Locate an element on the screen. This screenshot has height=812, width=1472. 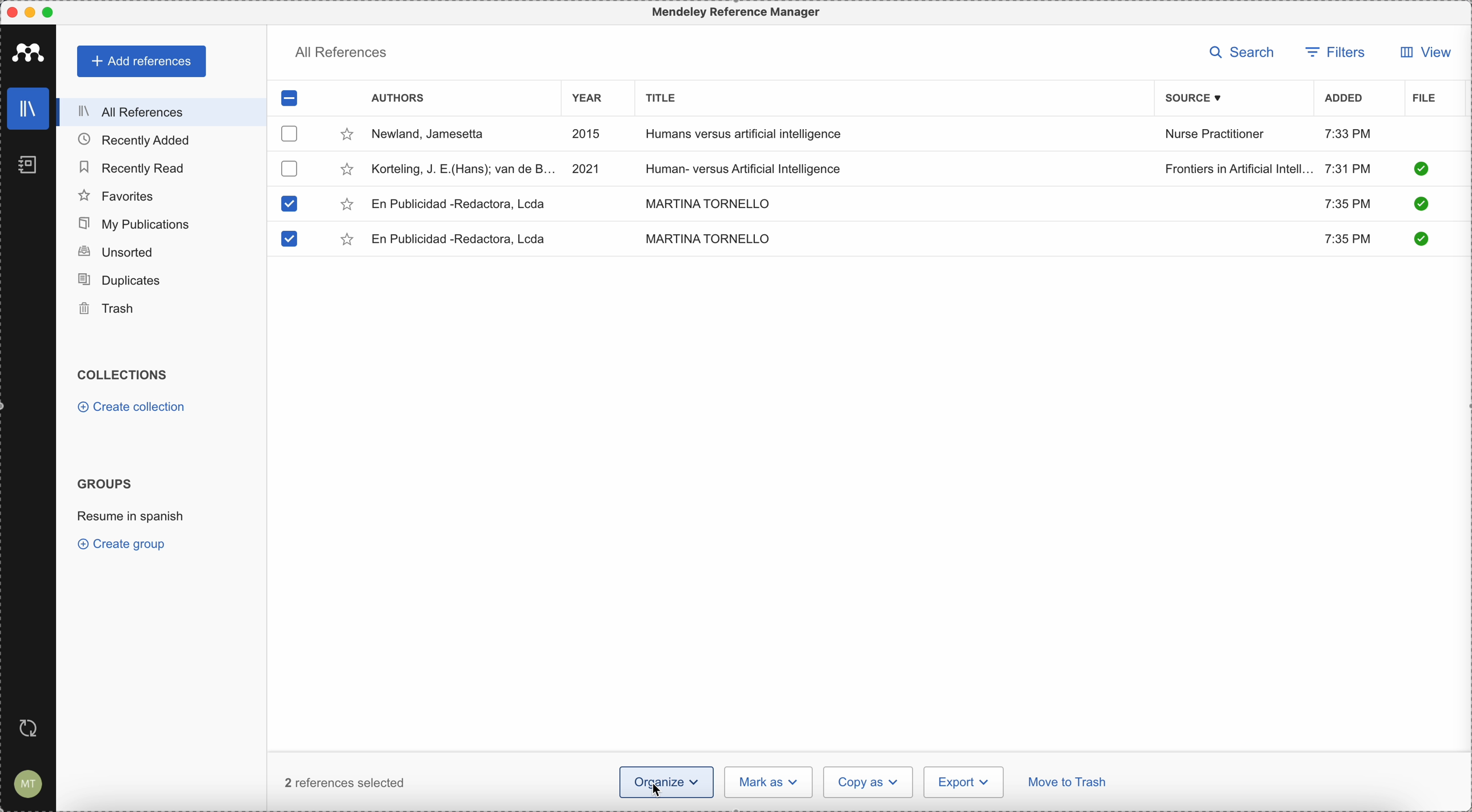
my publications is located at coordinates (135, 224).